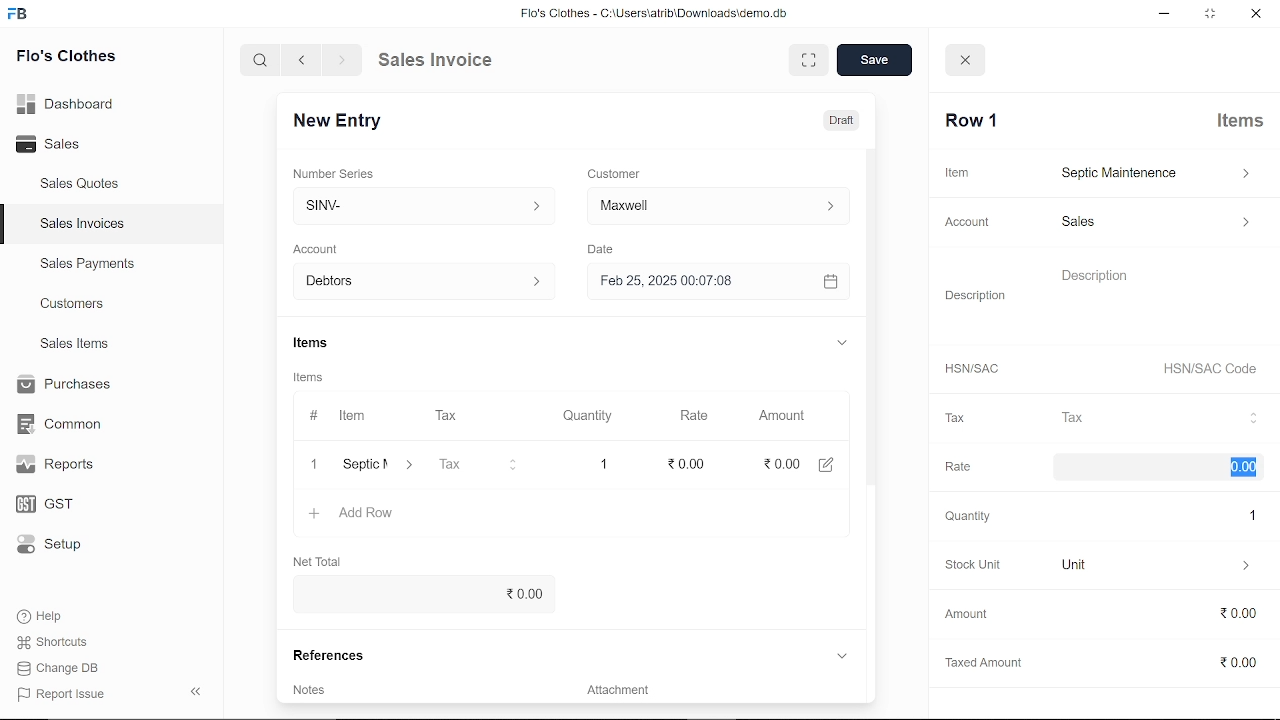 The height and width of the screenshot is (720, 1280). I want to click on Purchases, so click(67, 386).